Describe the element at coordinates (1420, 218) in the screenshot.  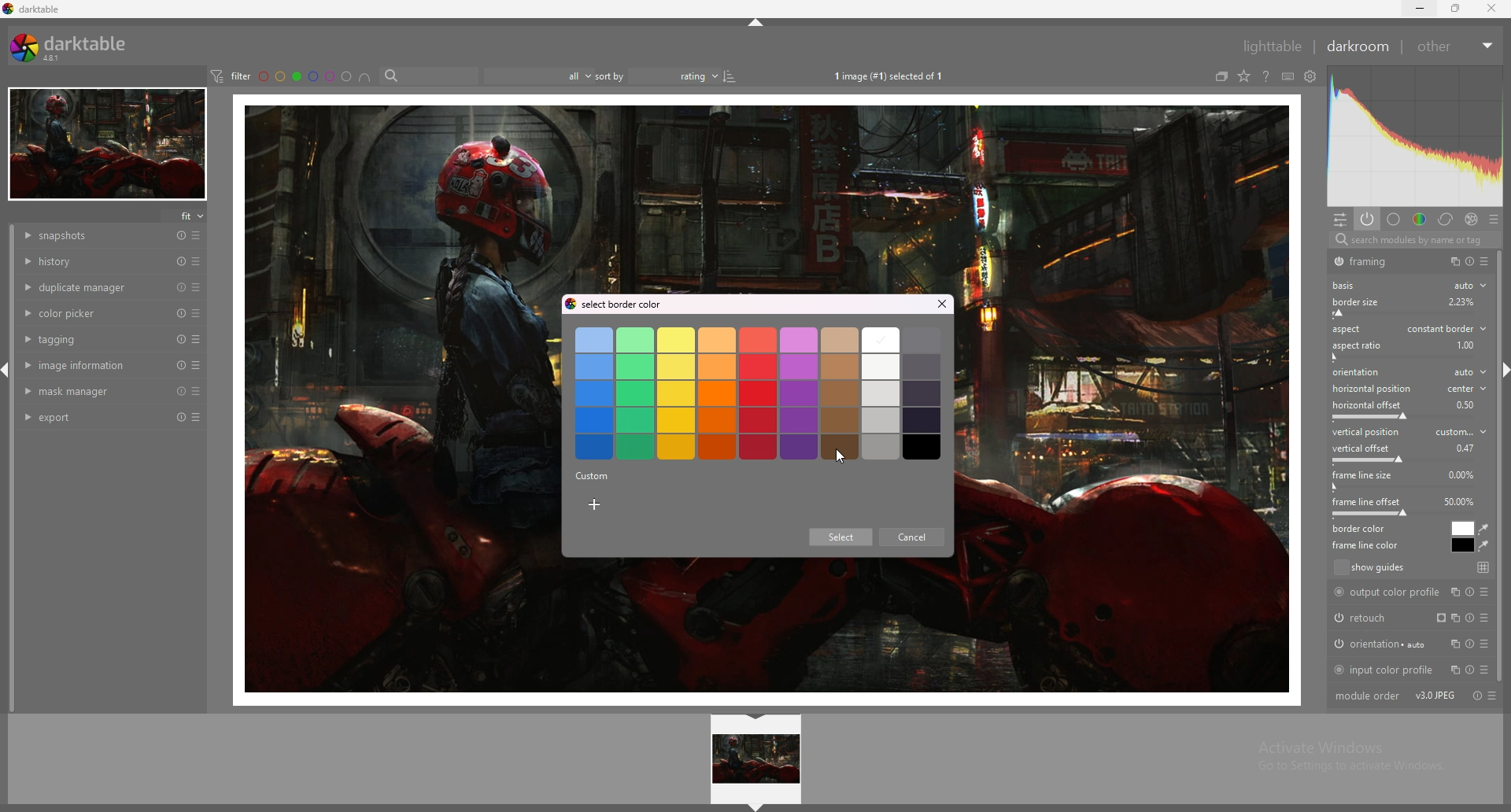
I see `color` at that location.